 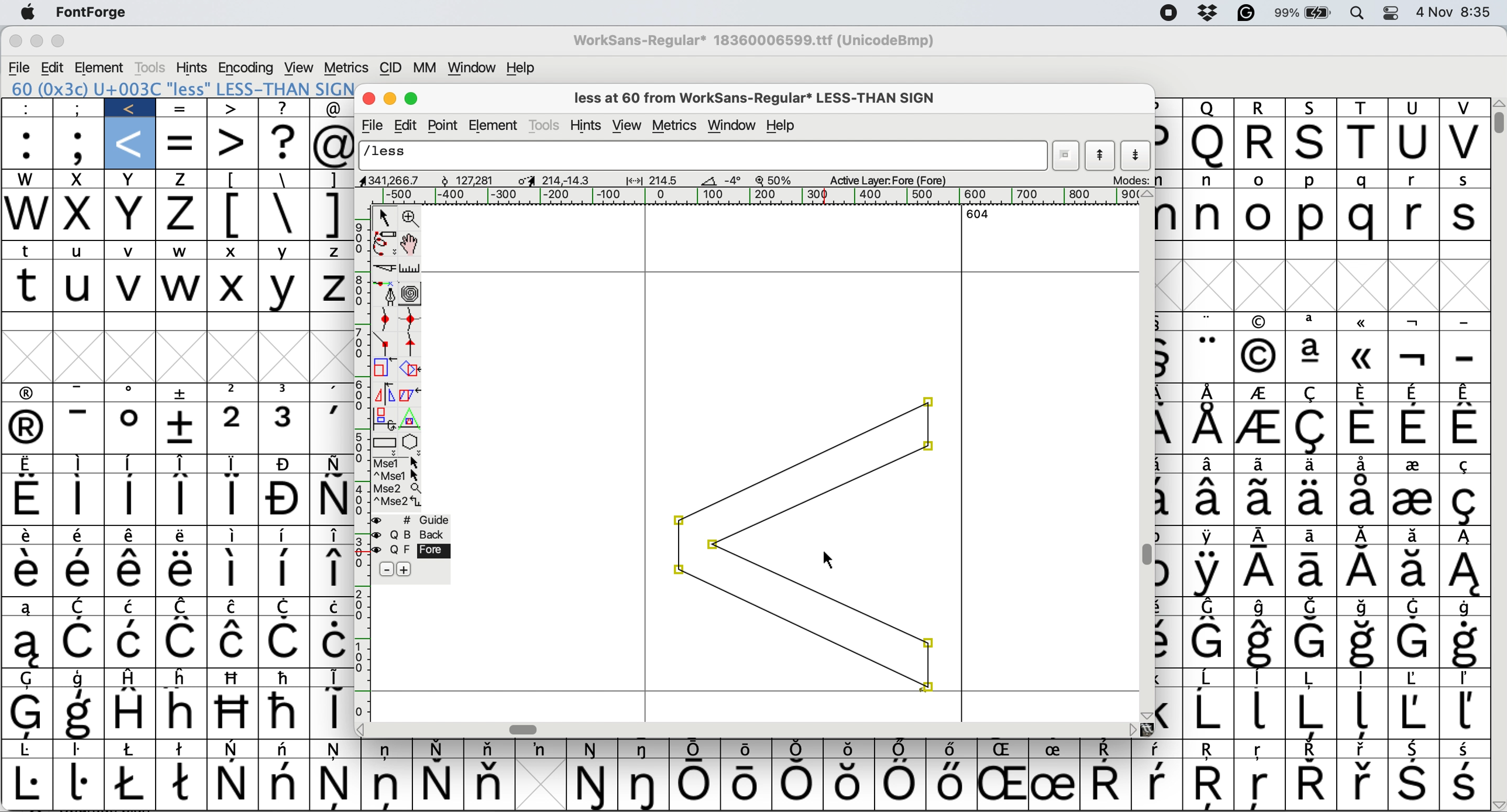 What do you see at coordinates (1412, 783) in the screenshot?
I see `Symbol` at bounding box center [1412, 783].